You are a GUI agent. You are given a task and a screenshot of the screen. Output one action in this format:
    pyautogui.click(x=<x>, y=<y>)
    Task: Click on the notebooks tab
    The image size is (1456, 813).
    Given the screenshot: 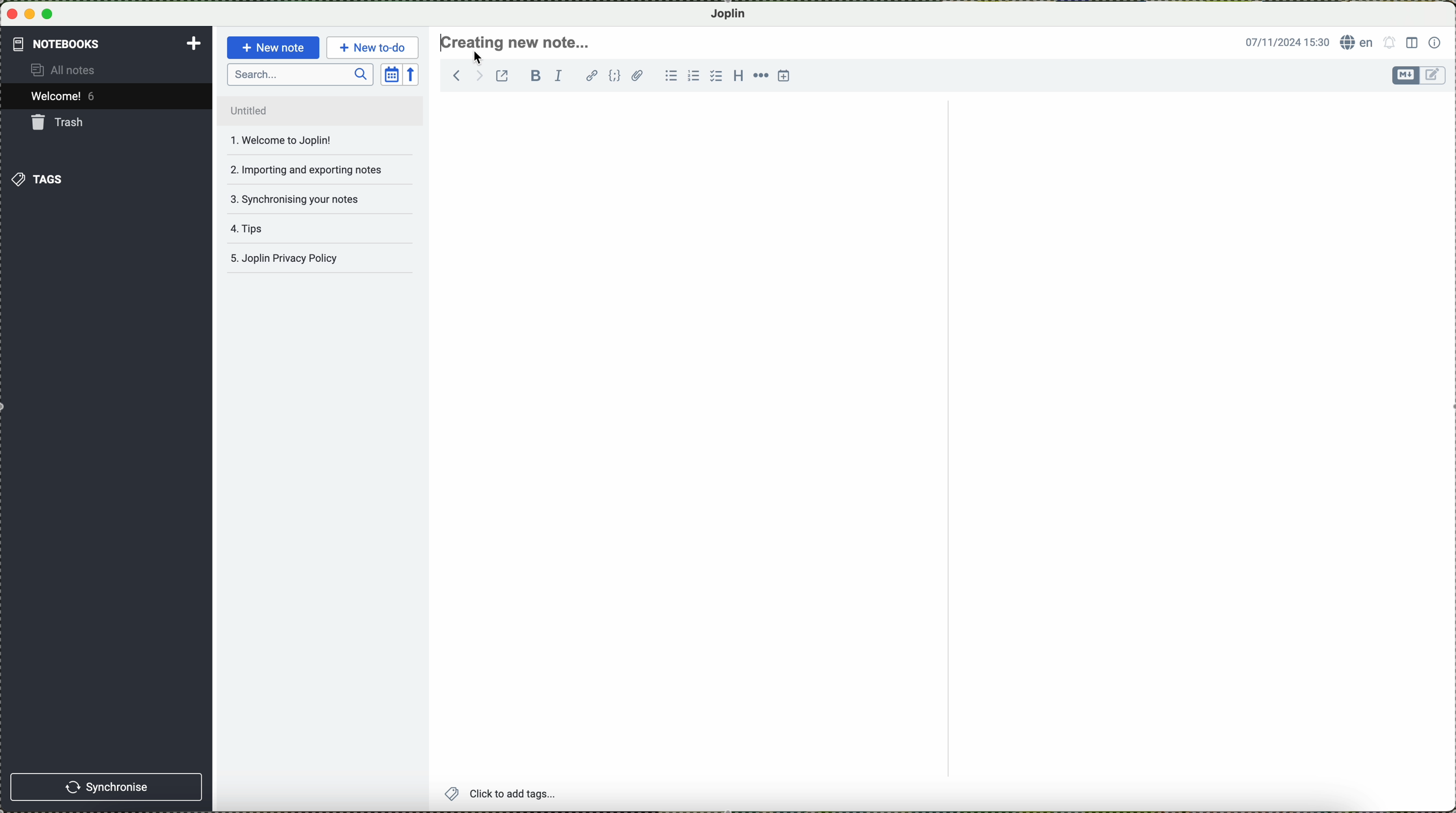 What is the action you would take?
    pyautogui.click(x=107, y=44)
    